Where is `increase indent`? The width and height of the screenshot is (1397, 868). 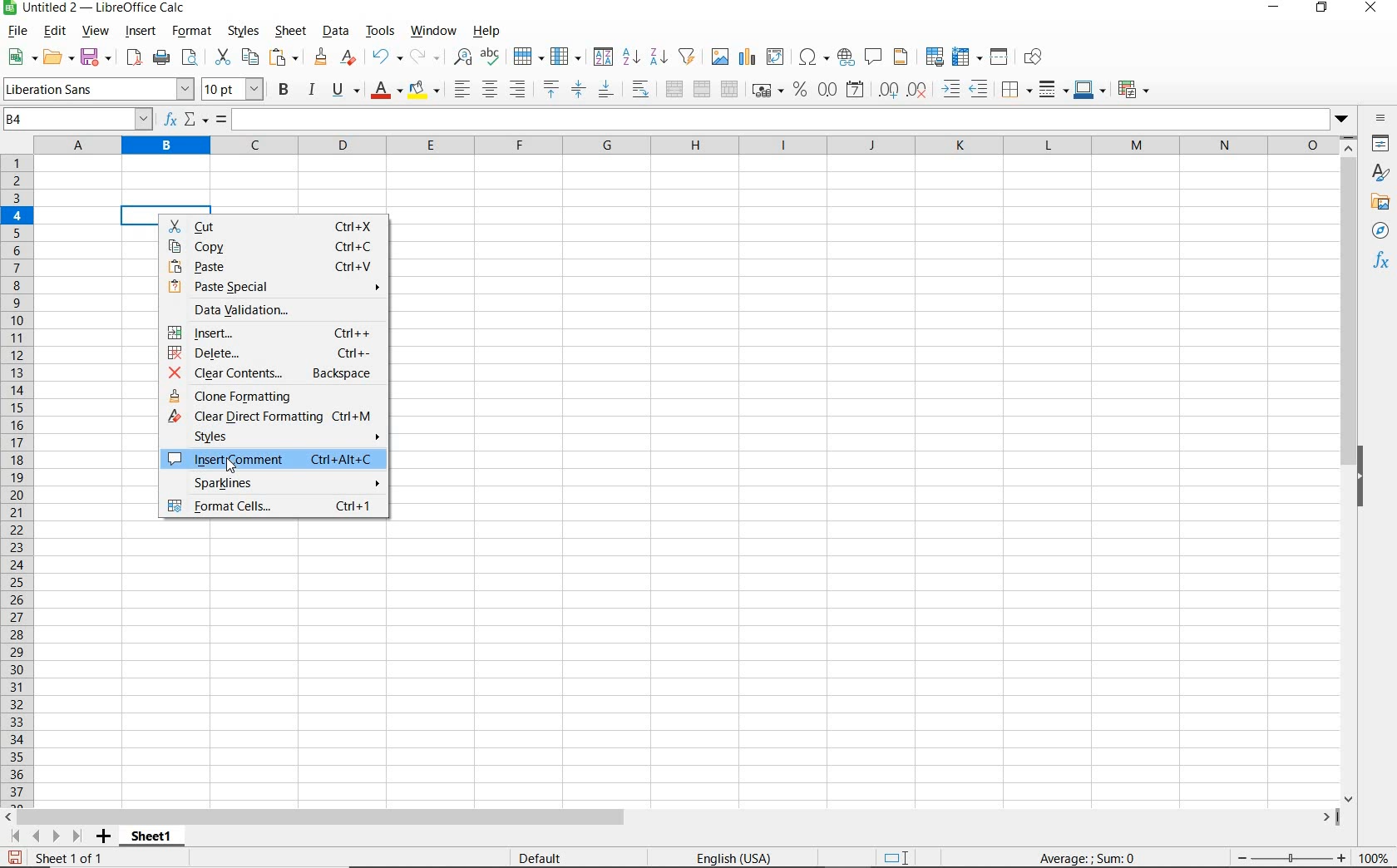 increase indent is located at coordinates (953, 89).